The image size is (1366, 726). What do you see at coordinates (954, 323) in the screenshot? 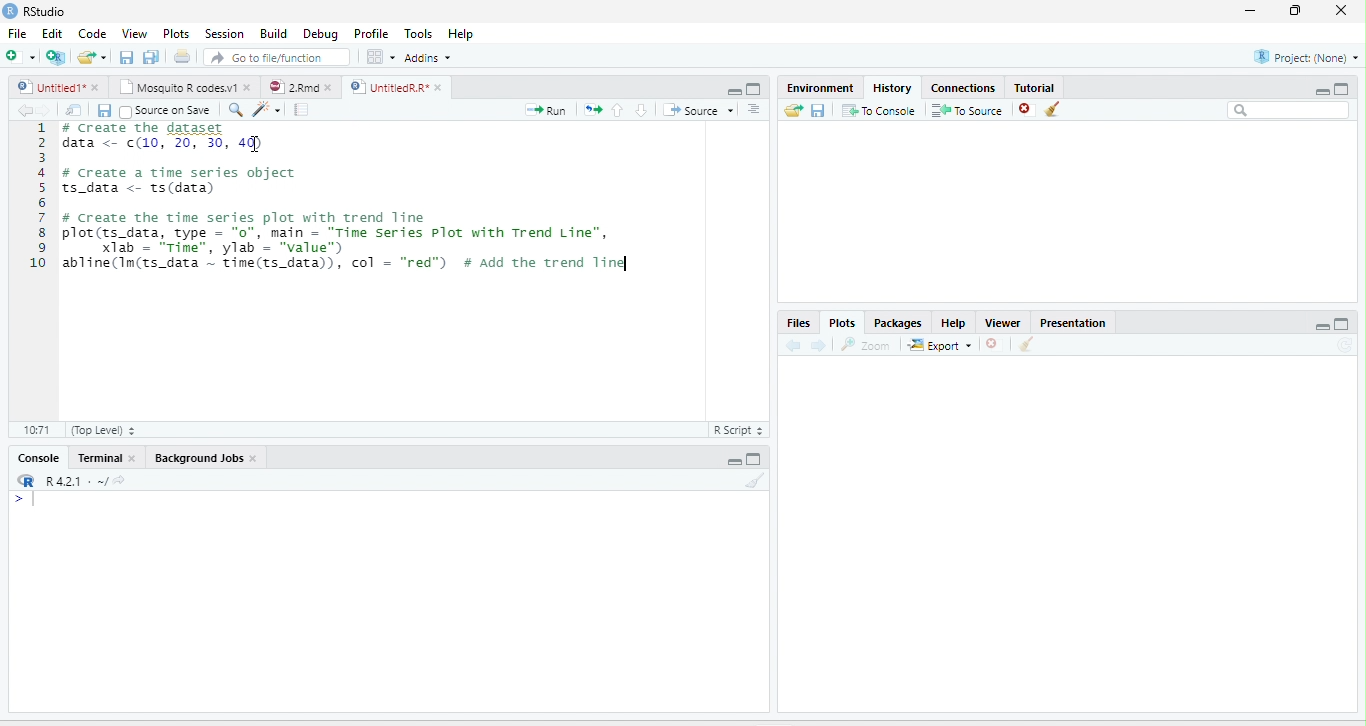
I see `Help` at bounding box center [954, 323].